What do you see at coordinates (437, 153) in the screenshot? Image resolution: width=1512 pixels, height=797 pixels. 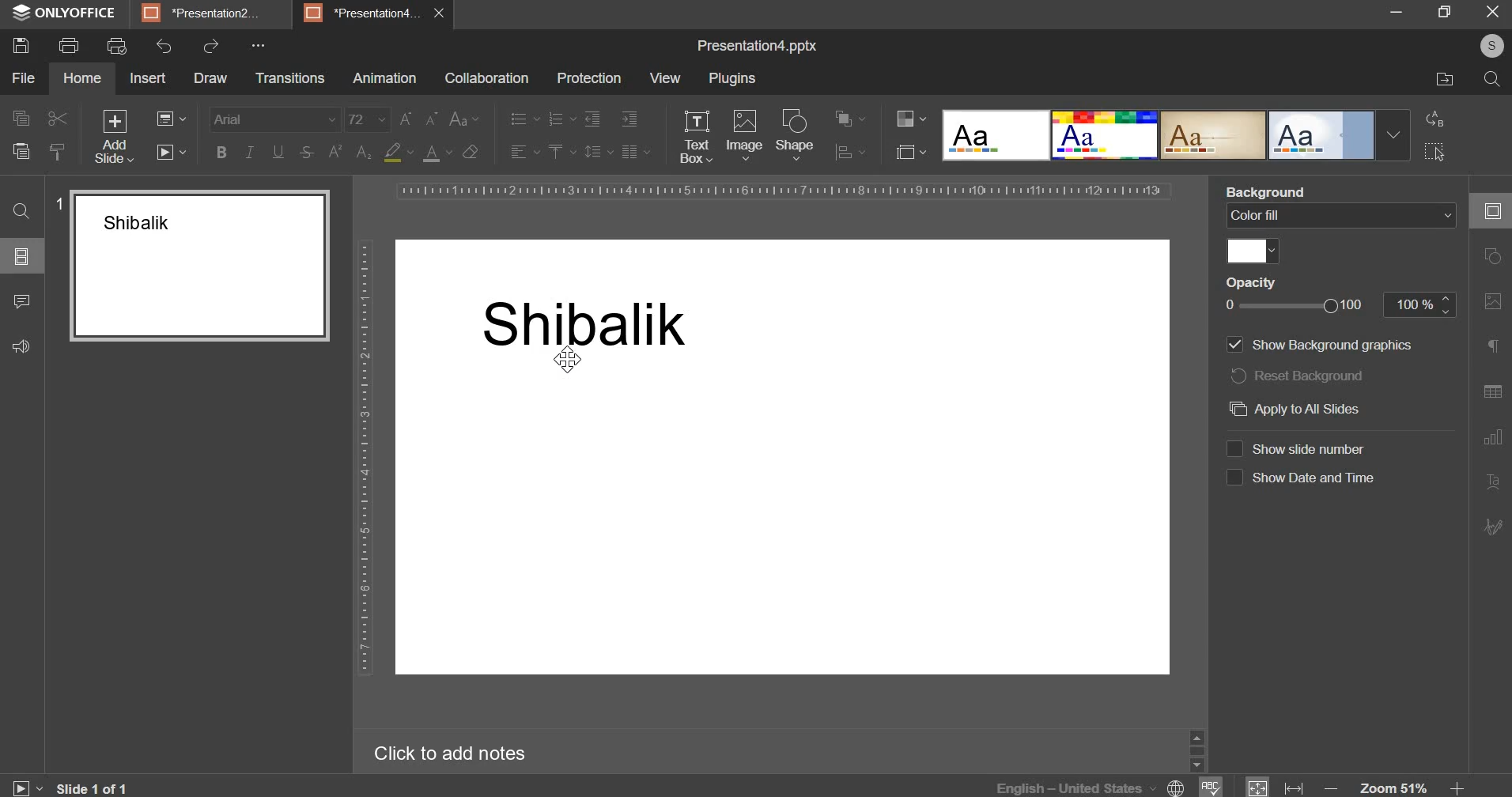 I see `text color` at bounding box center [437, 153].